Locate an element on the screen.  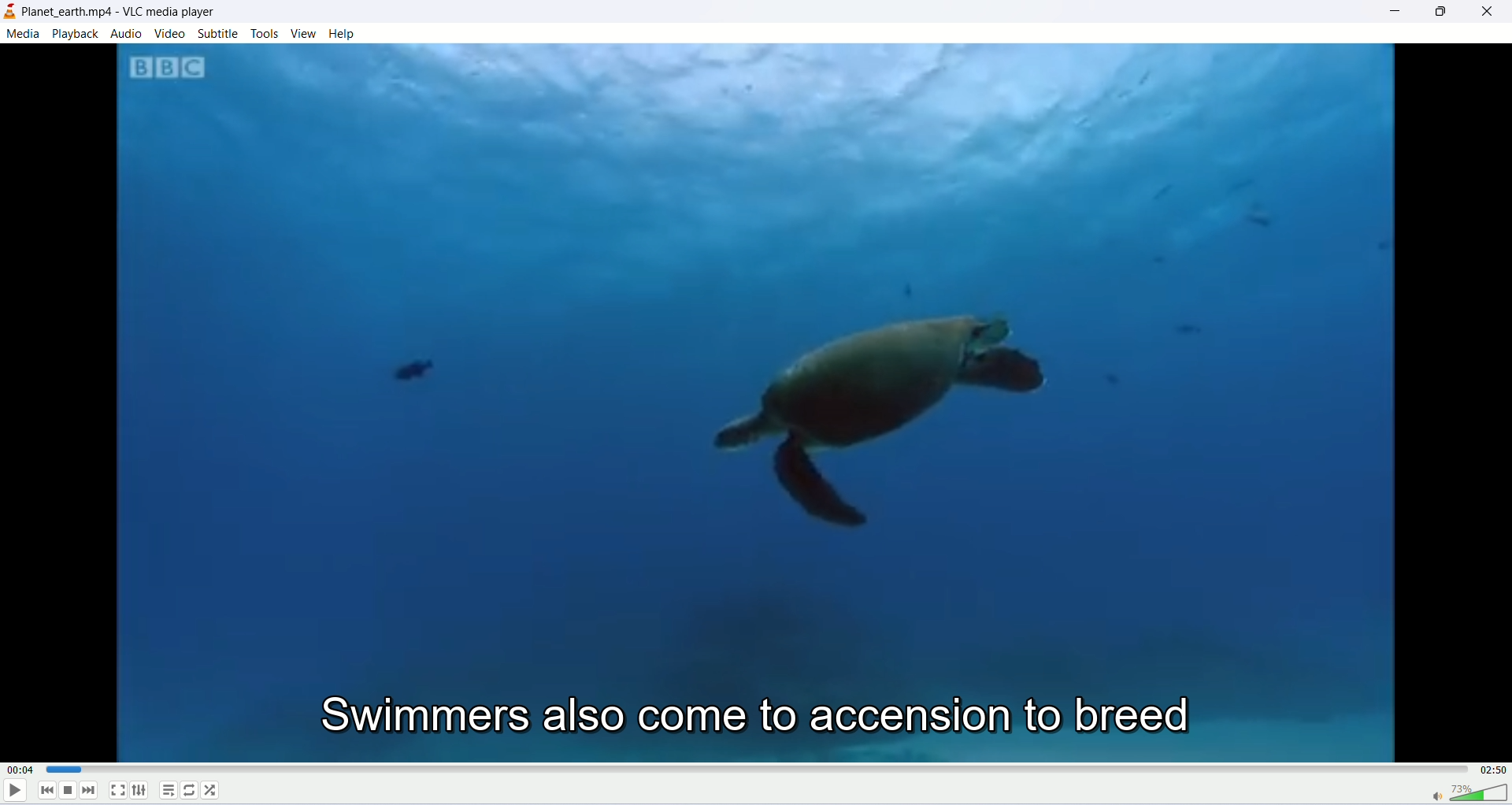
logo is located at coordinates (11, 9).